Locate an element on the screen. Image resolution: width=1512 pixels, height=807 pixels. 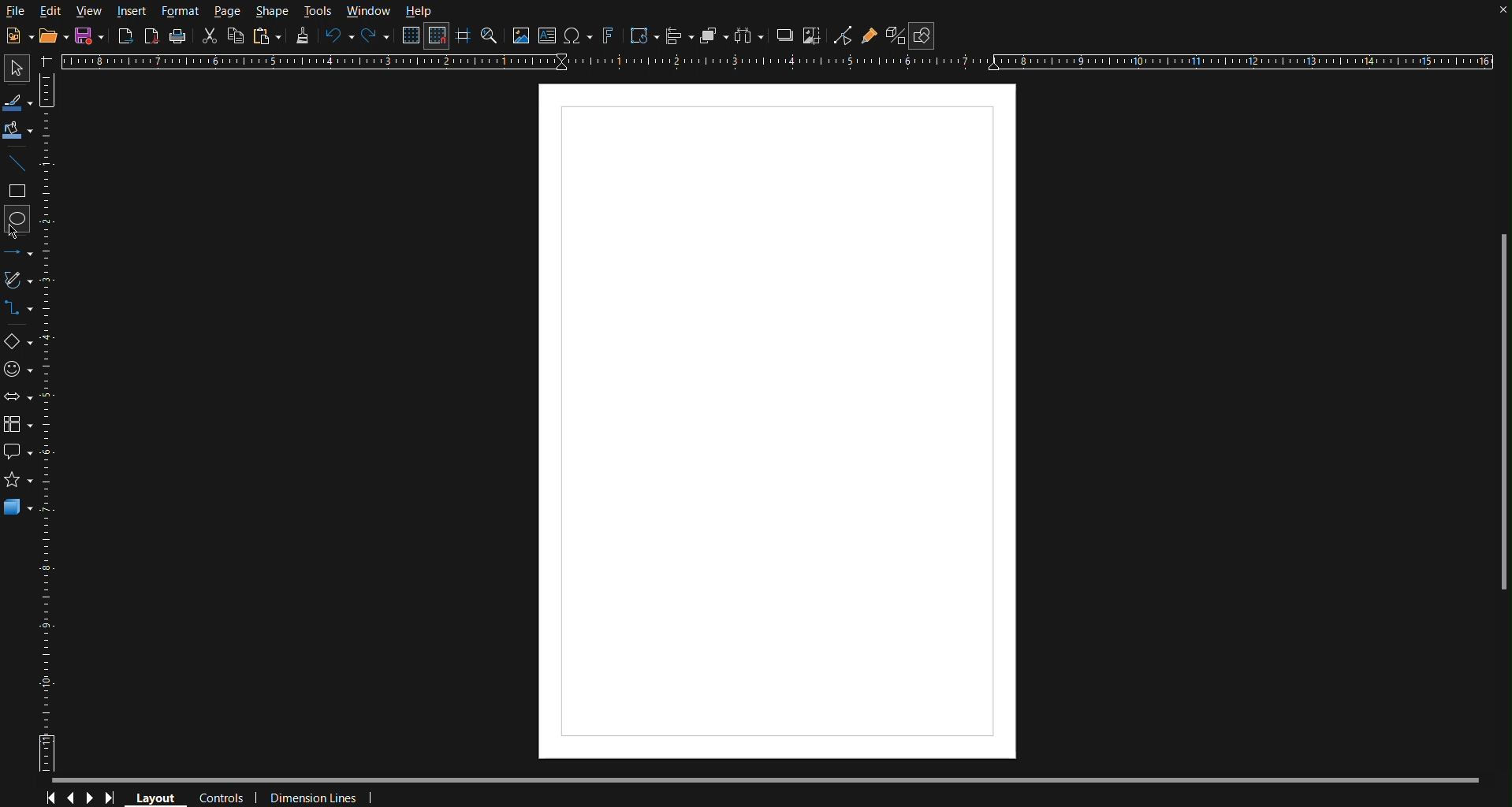
Dimension Lines is located at coordinates (315, 795).